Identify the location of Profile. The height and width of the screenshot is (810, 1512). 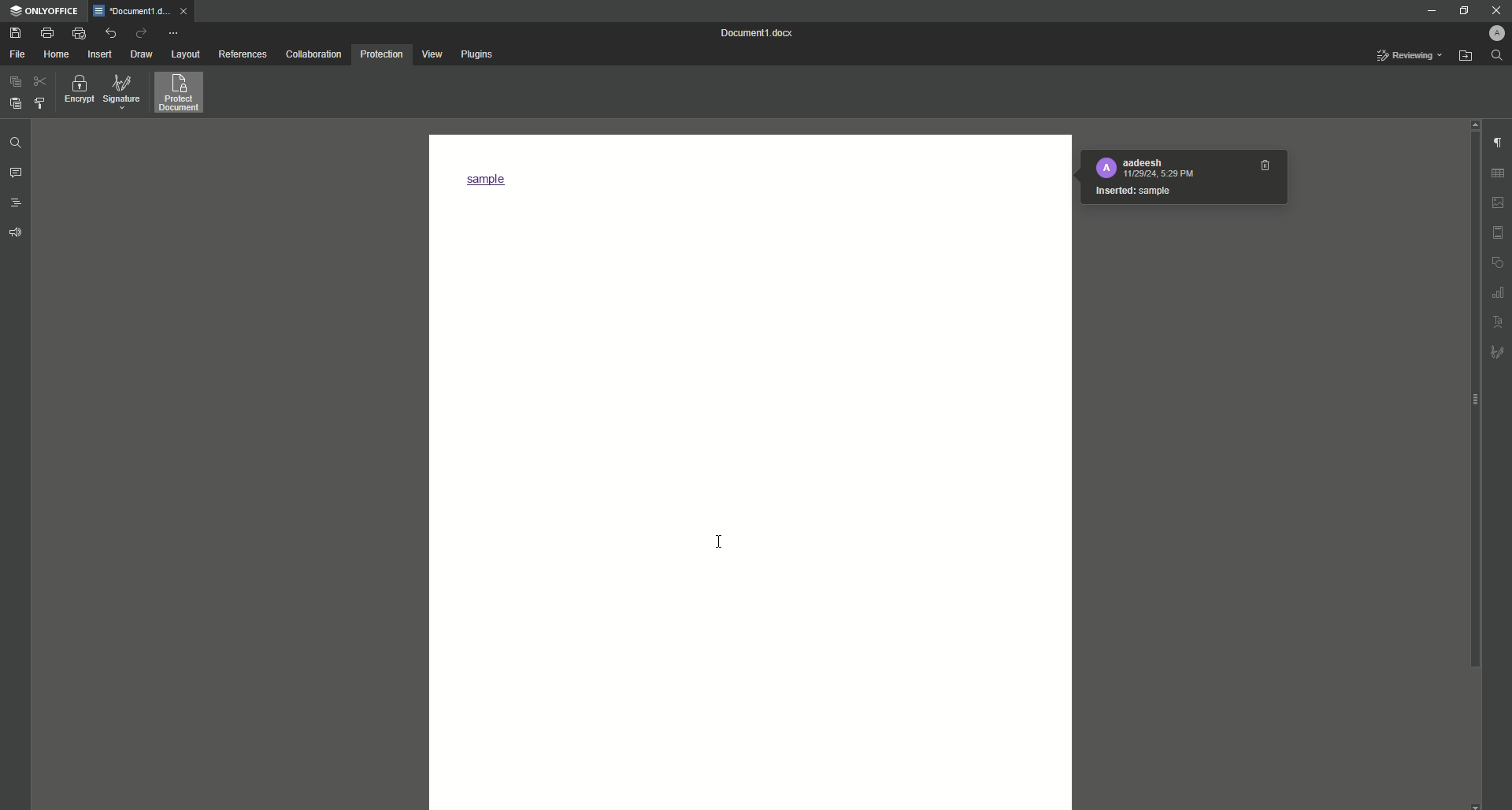
(1492, 33).